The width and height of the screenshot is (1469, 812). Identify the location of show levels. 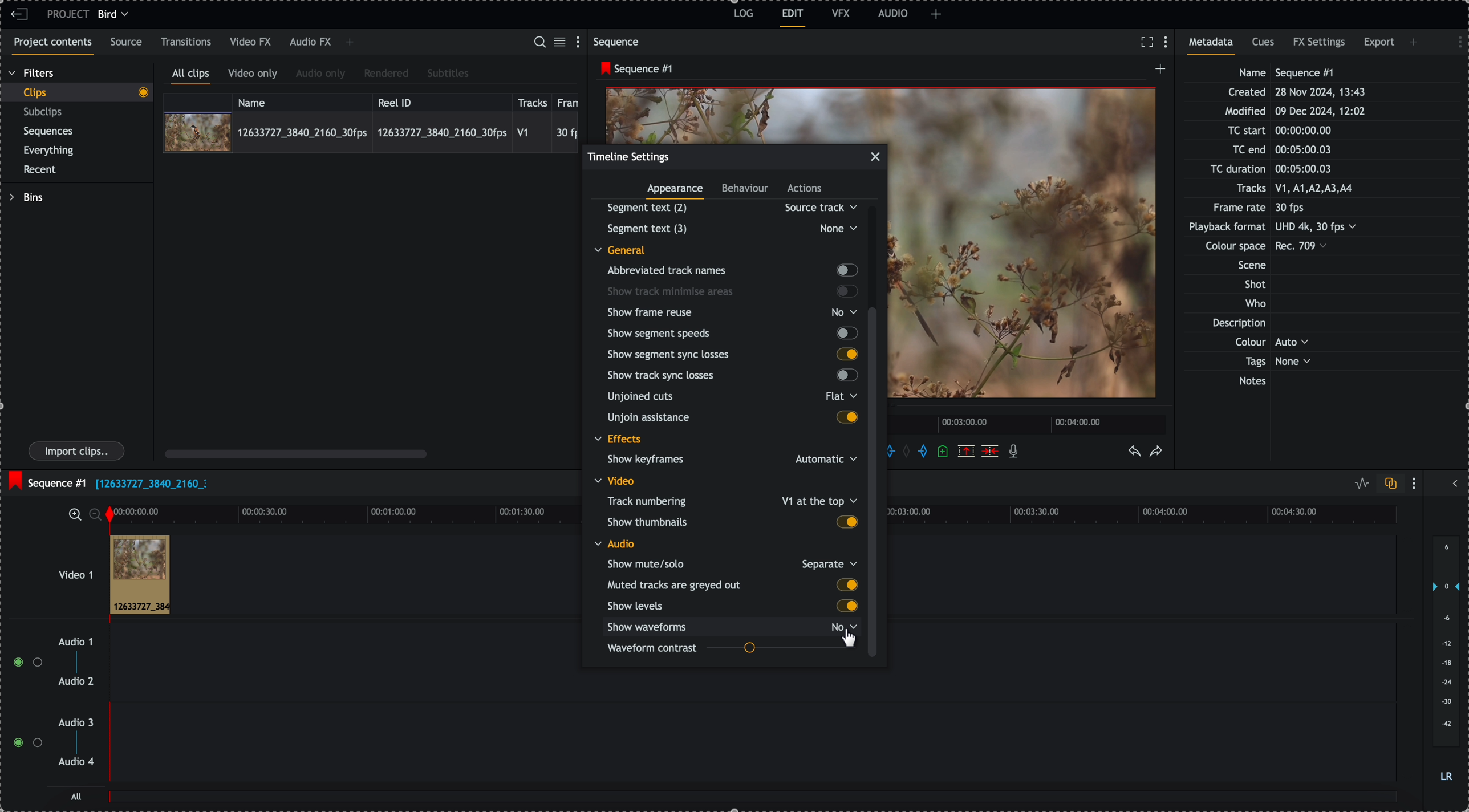
(730, 606).